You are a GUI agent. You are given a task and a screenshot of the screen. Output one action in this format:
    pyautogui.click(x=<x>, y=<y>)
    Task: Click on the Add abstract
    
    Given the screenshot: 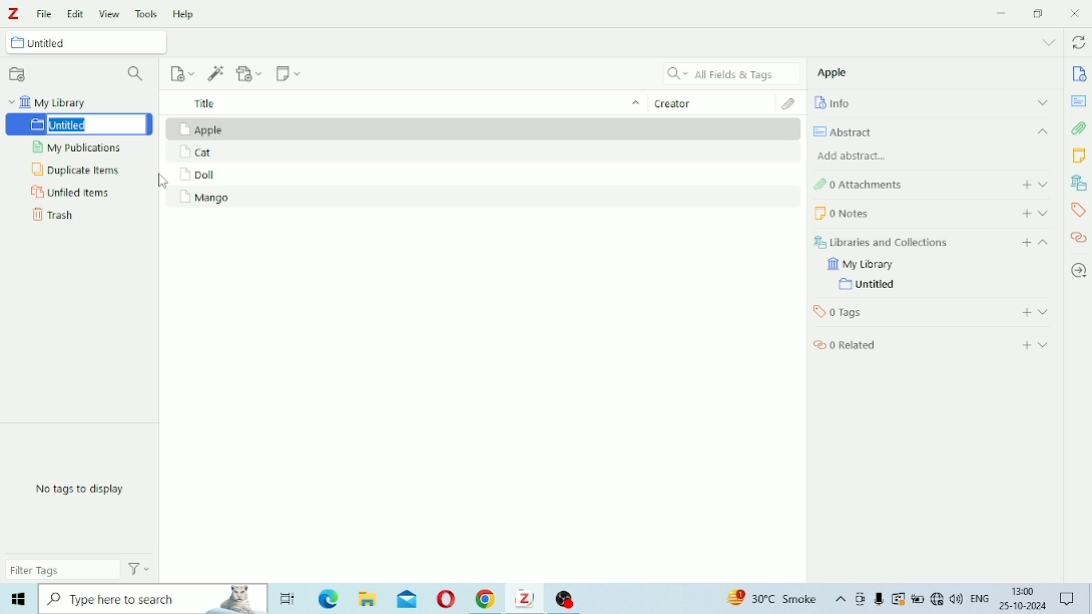 What is the action you would take?
    pyautogui.click(x=853, y=155)
    